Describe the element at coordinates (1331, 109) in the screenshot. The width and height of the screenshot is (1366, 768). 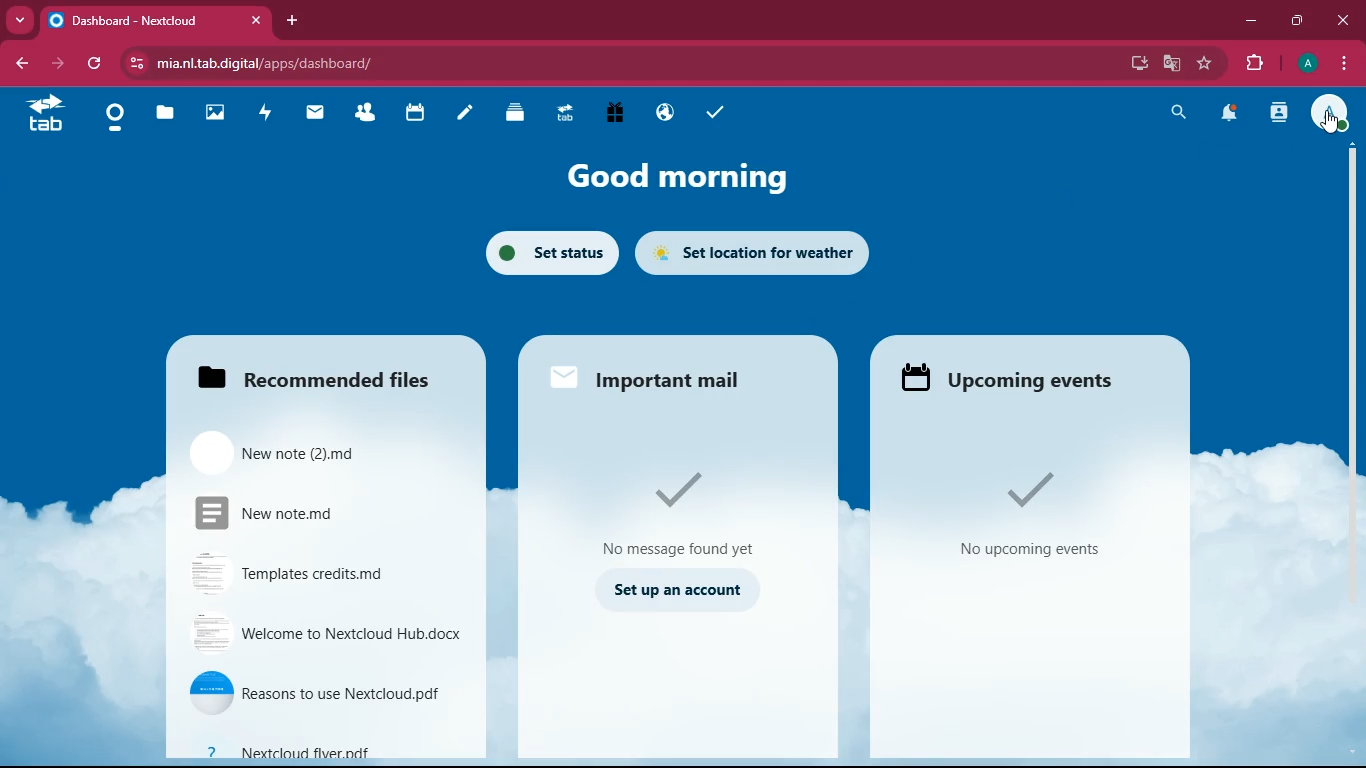
I see `profile` at that location.